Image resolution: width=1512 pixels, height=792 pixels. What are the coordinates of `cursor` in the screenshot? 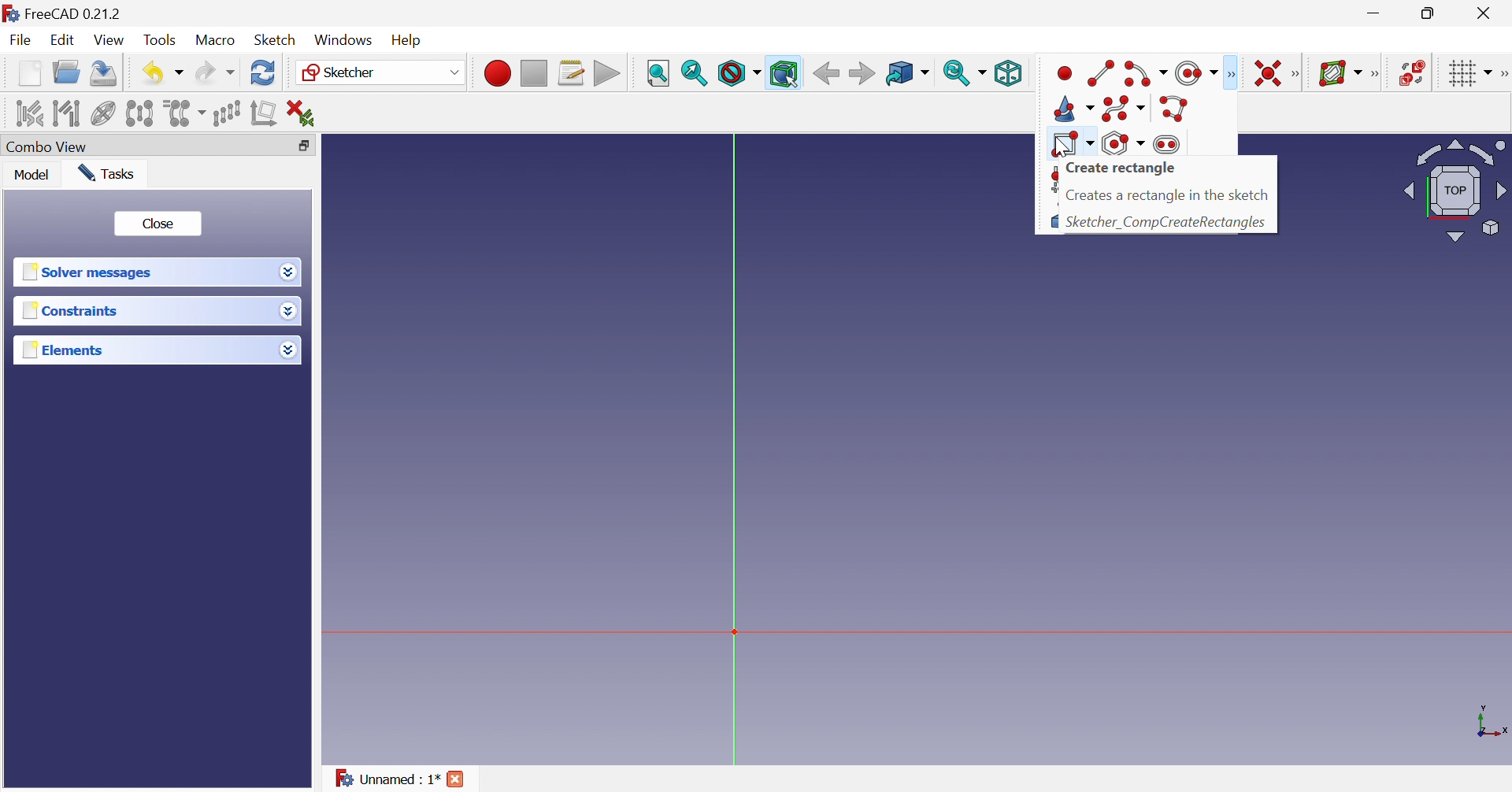 It's located at (1063, 147).